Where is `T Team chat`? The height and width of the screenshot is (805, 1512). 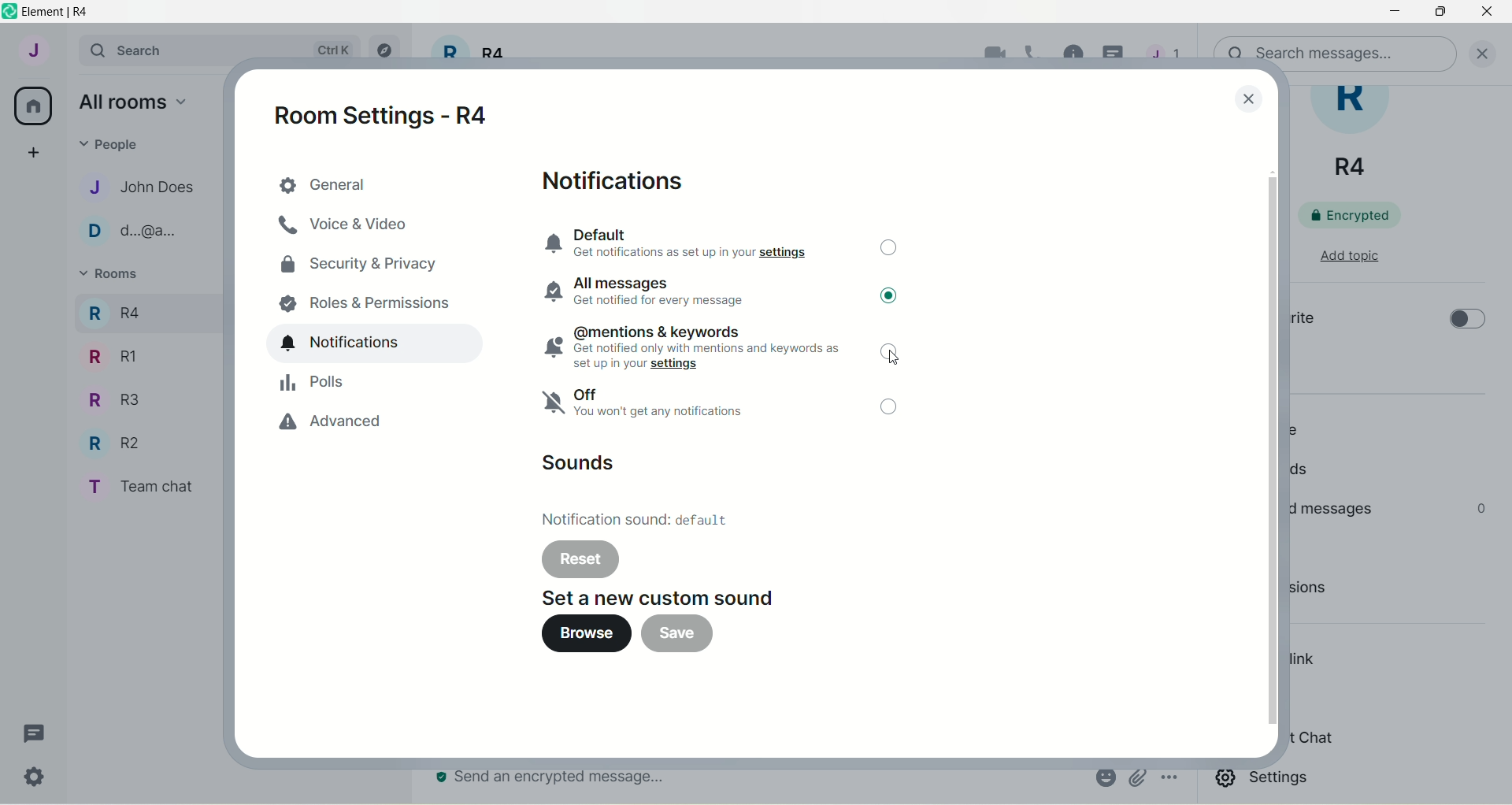
T Team chat is located at coordinates (135, 484).